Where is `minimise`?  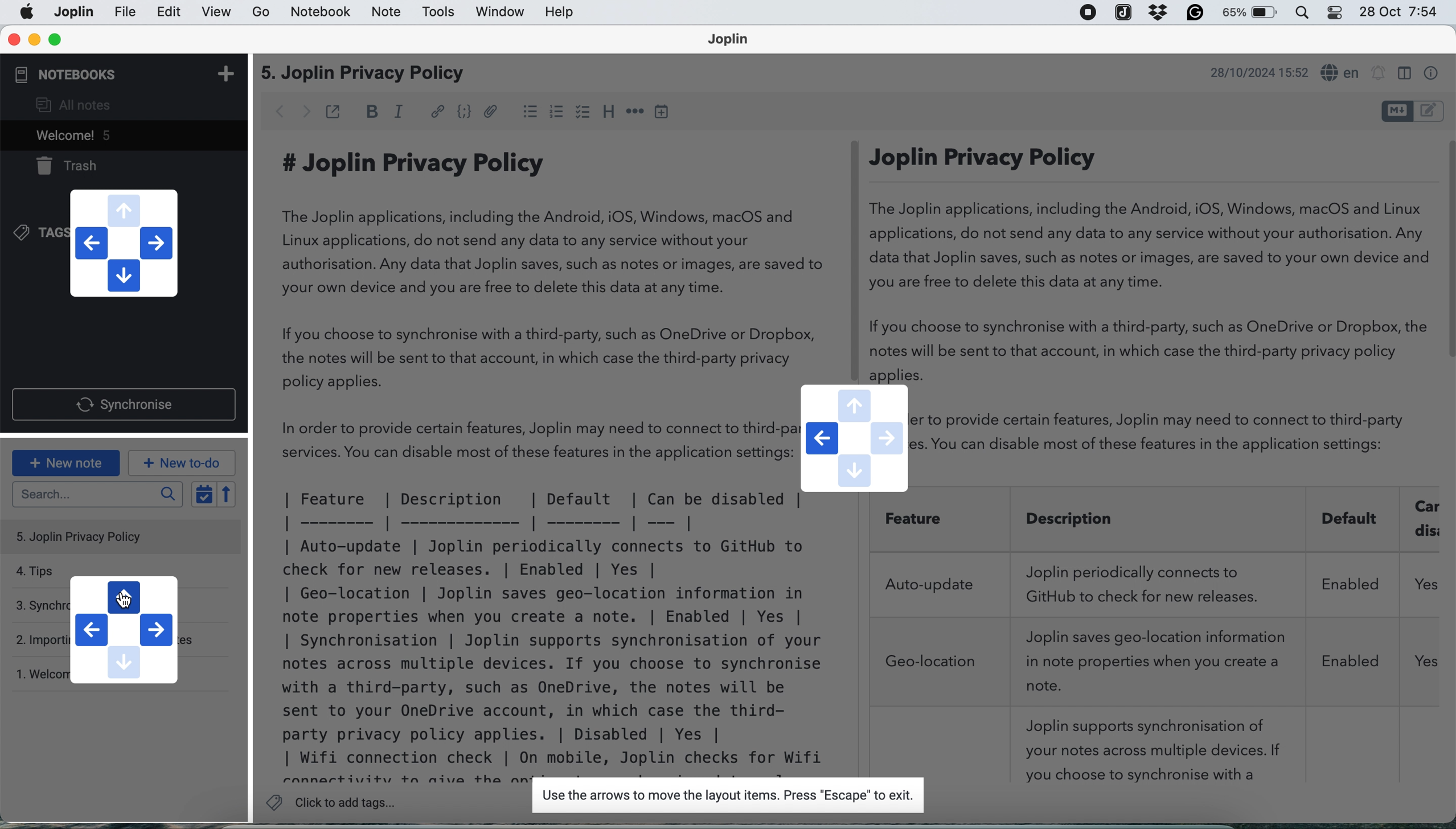 minimise is located at coordinates (35, 40).